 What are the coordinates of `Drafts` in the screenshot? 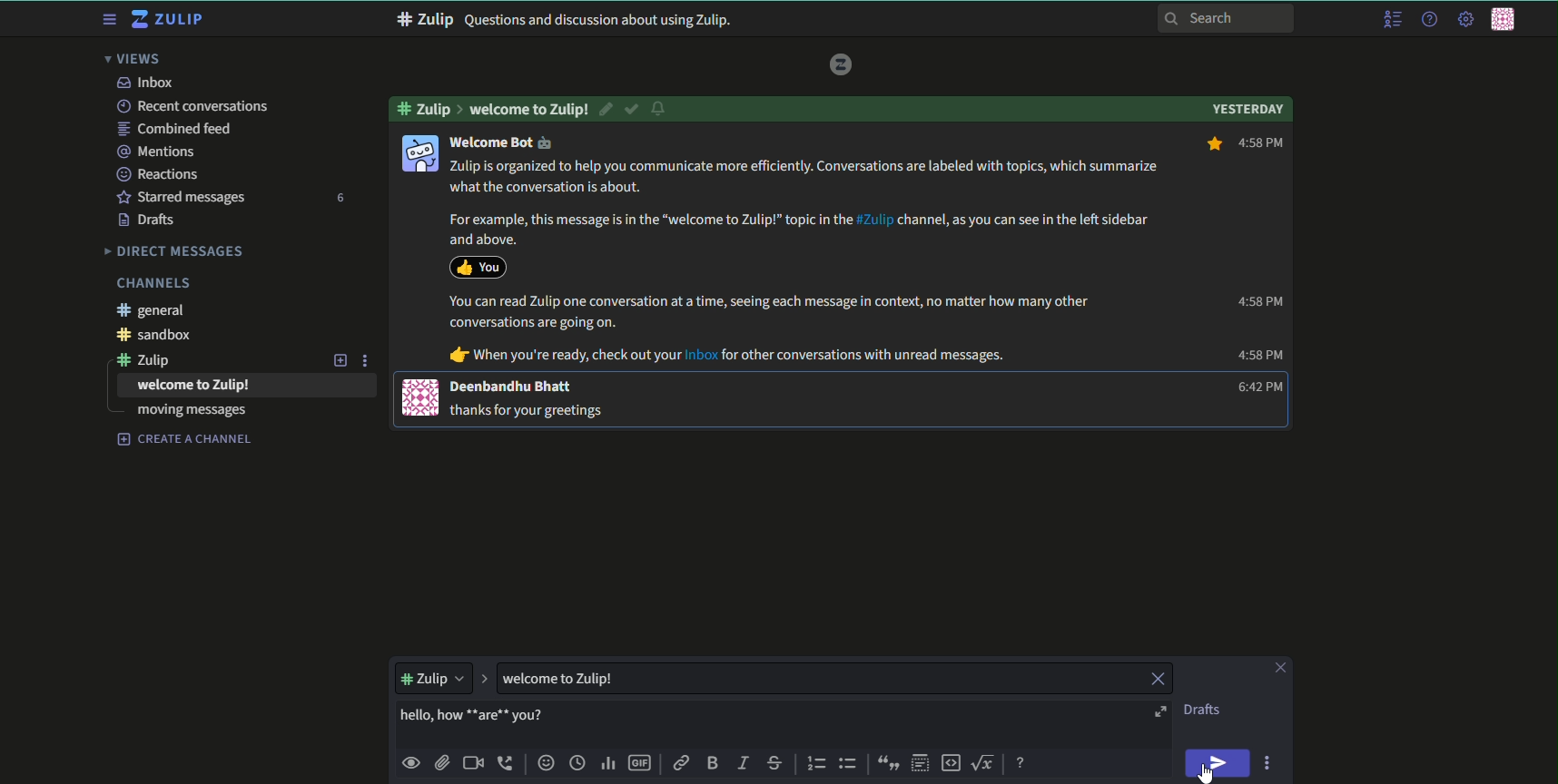 It's located at (149, 220).